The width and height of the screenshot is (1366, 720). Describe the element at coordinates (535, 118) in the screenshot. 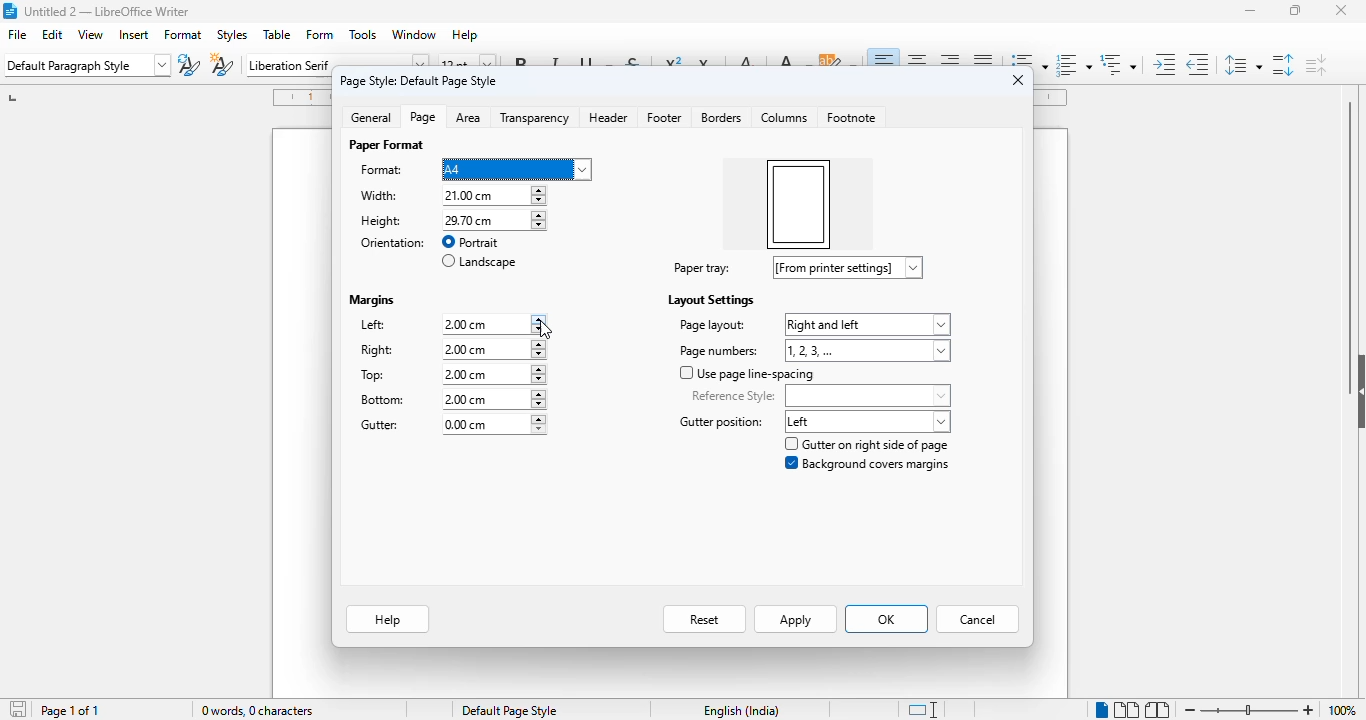

I see `transparency` at that location.